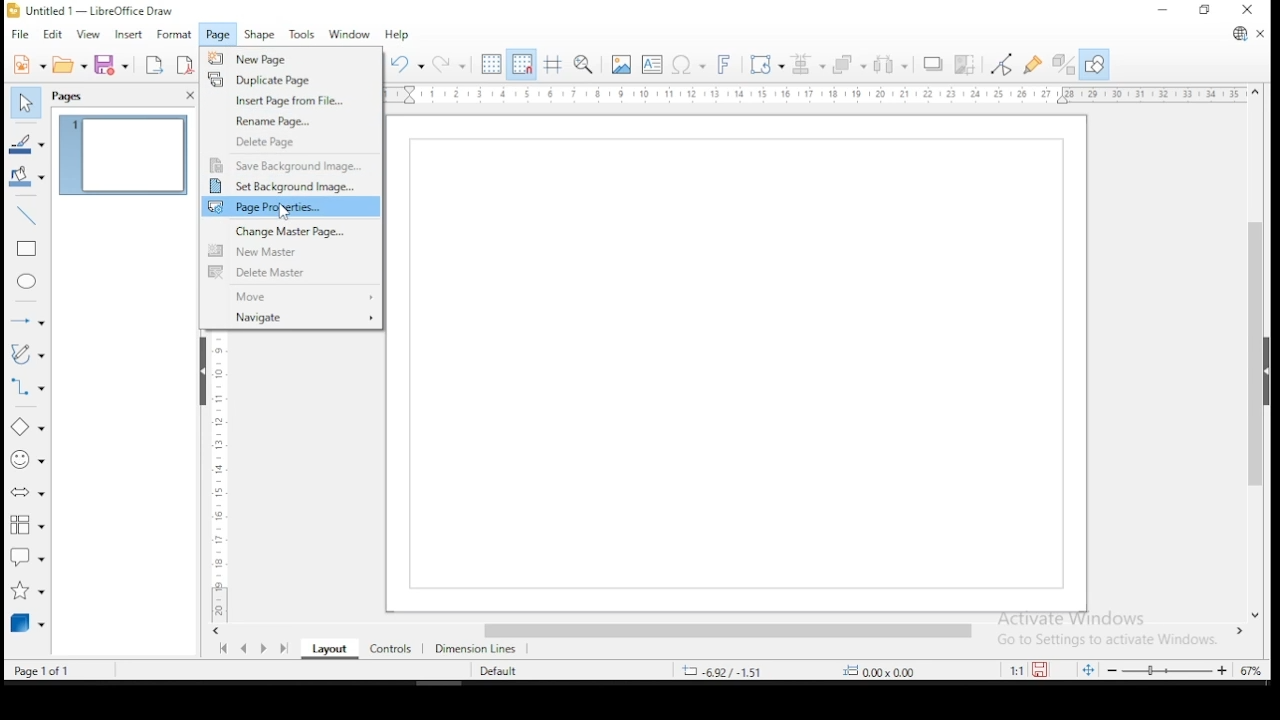  What do you see at coordinates (1260, 34) in the screenshot?
I see `close document` at bounding box center [1260, 34].